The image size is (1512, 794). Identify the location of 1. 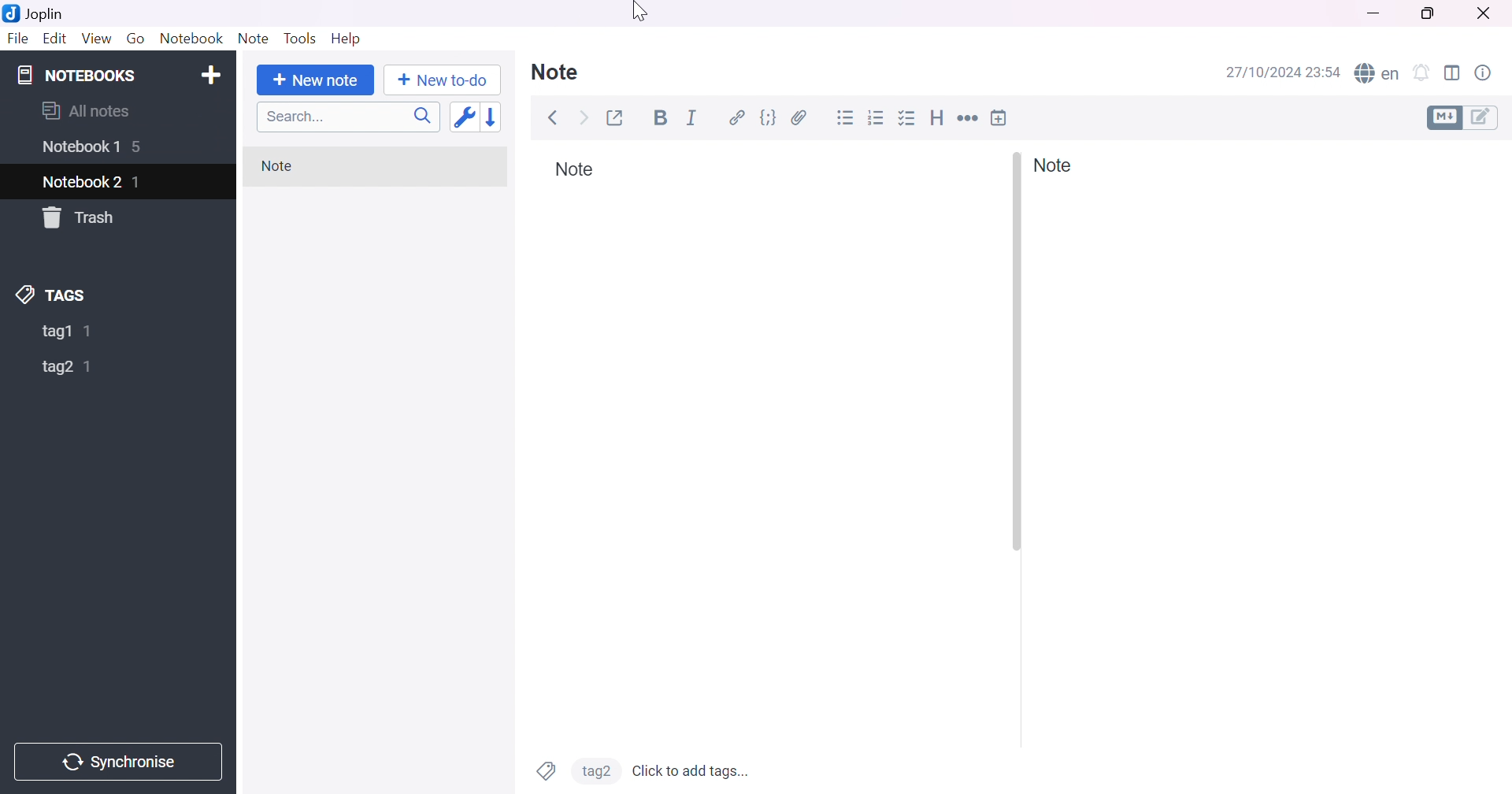
(91, 331).